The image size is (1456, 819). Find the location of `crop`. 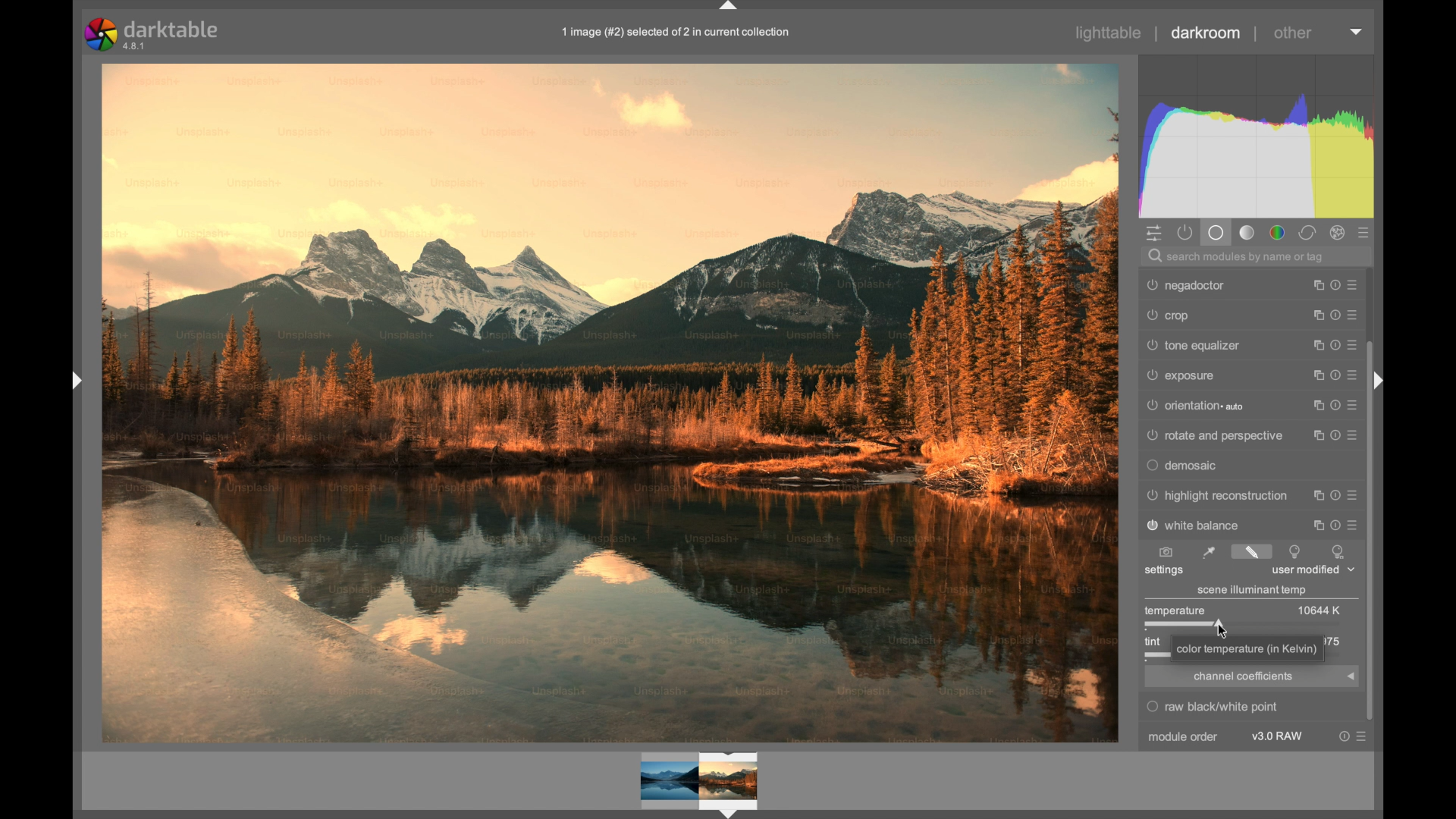

crop is located at coordinates (1168, 314).